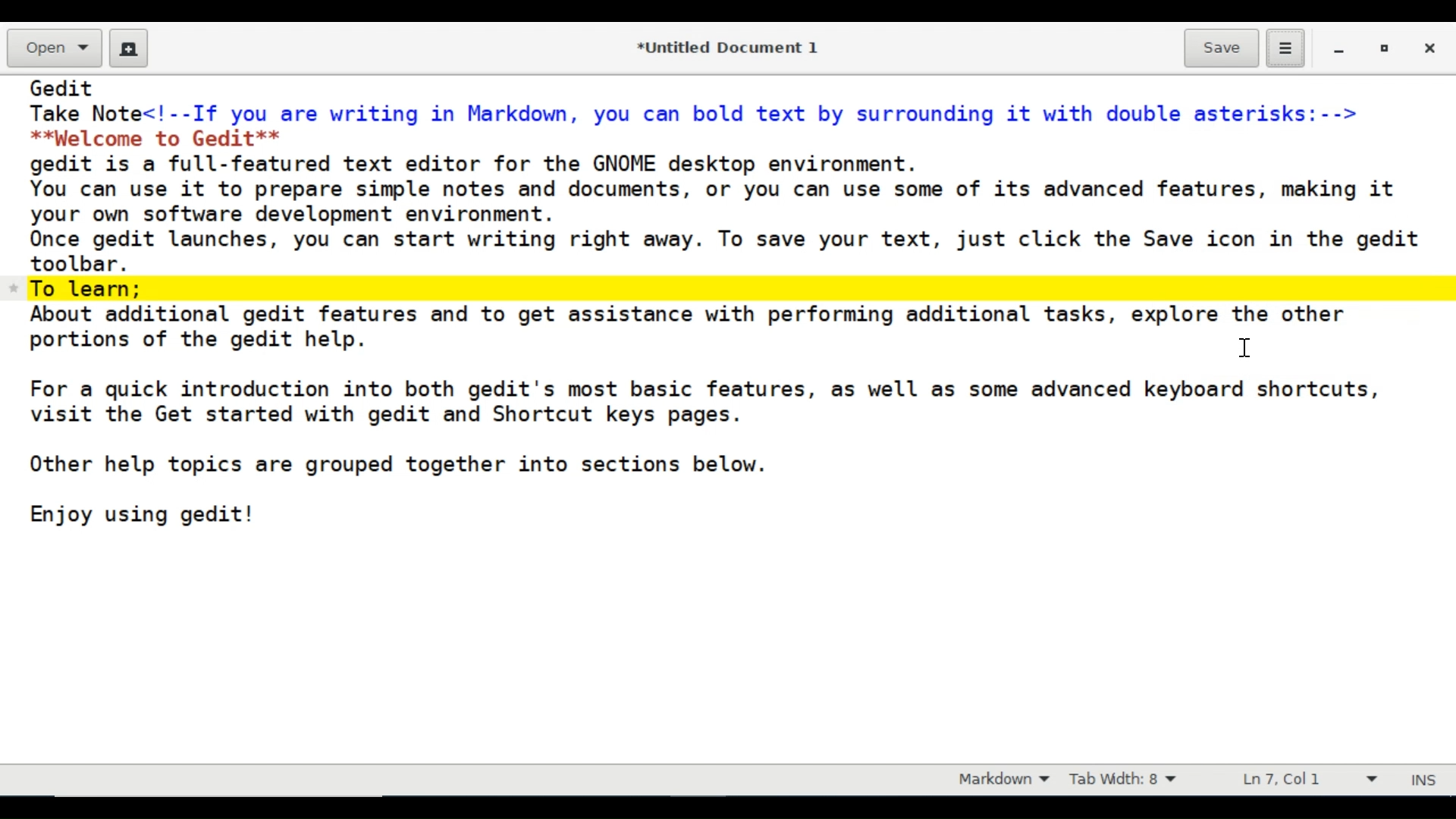  I want to click on Application menu, so click(1285, 49).